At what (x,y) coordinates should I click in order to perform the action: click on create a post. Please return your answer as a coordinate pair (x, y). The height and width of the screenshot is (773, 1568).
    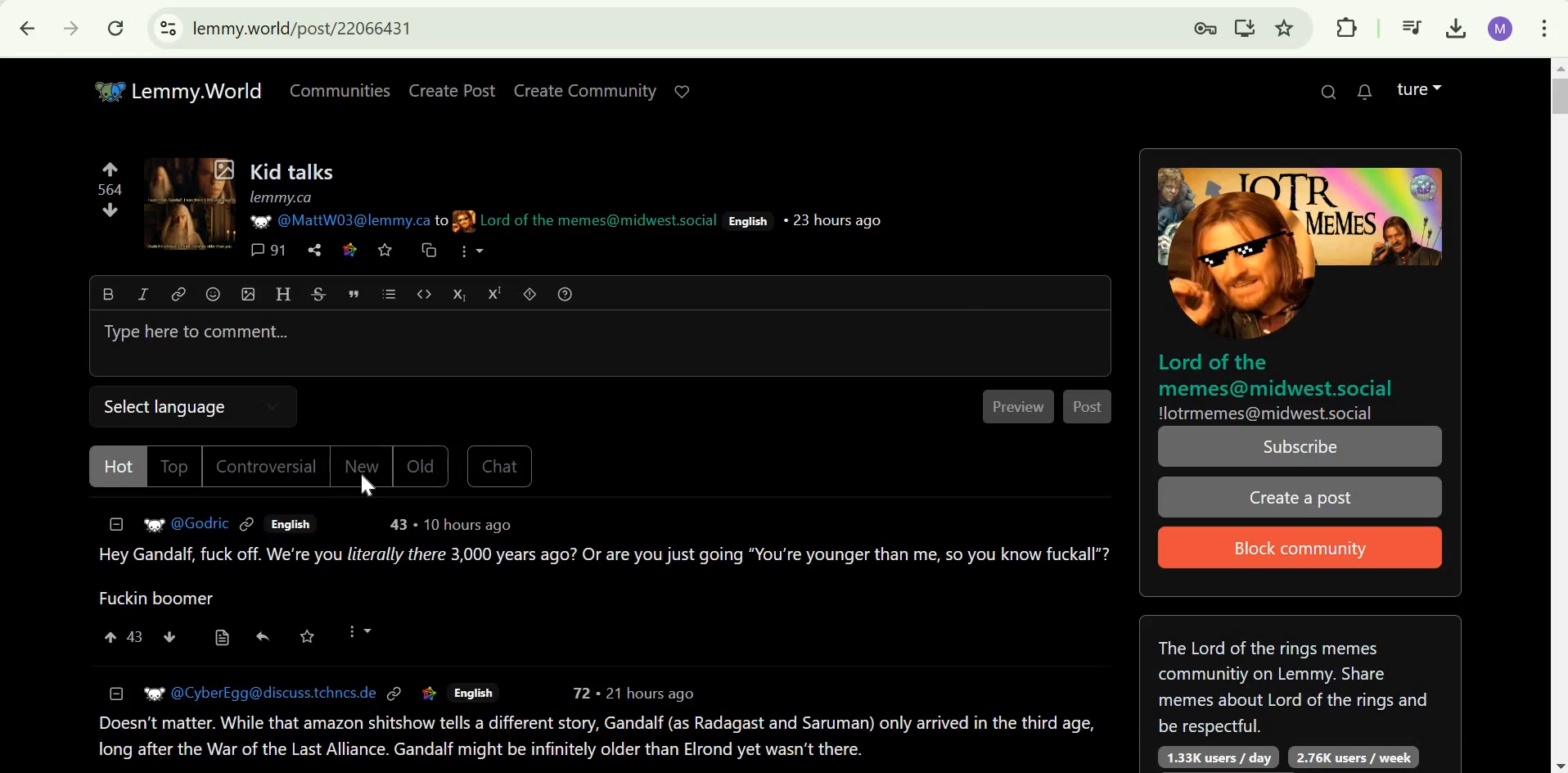
    Looking at the image, I should click on (1298, 498).